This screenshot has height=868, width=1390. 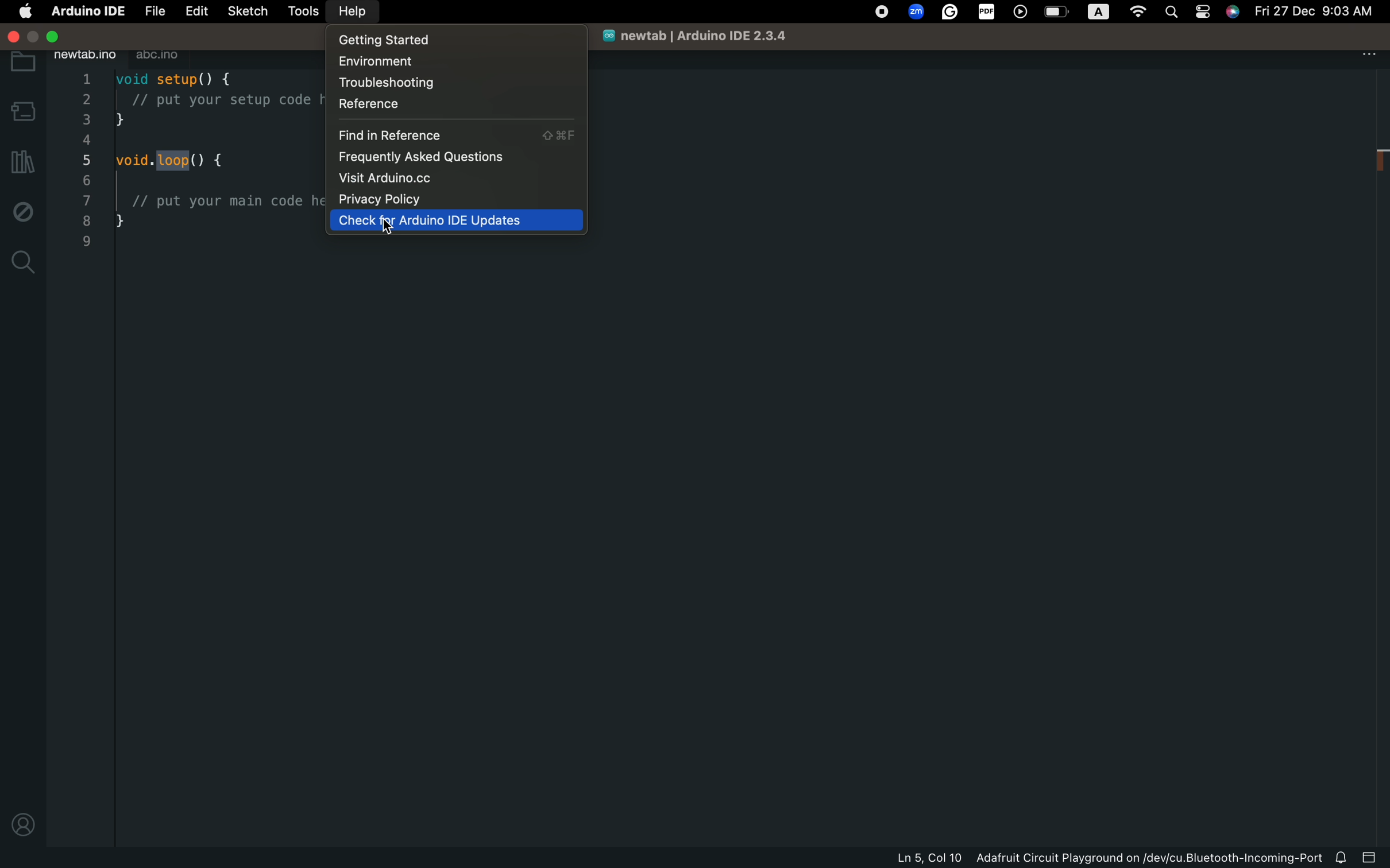 I want to click on Grammerly, so click(x=948, y=12).